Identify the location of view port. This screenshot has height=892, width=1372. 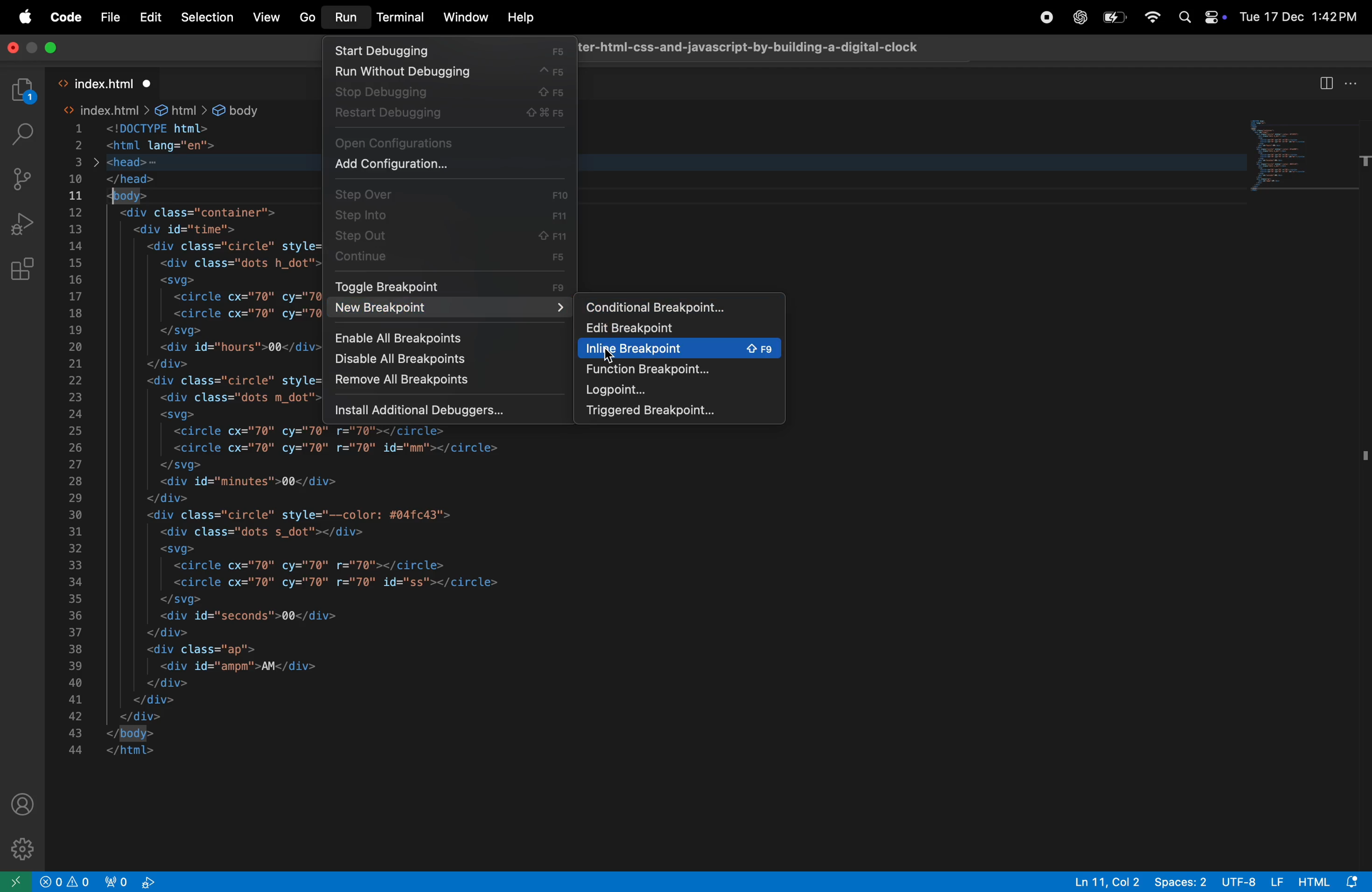
(134, 881).